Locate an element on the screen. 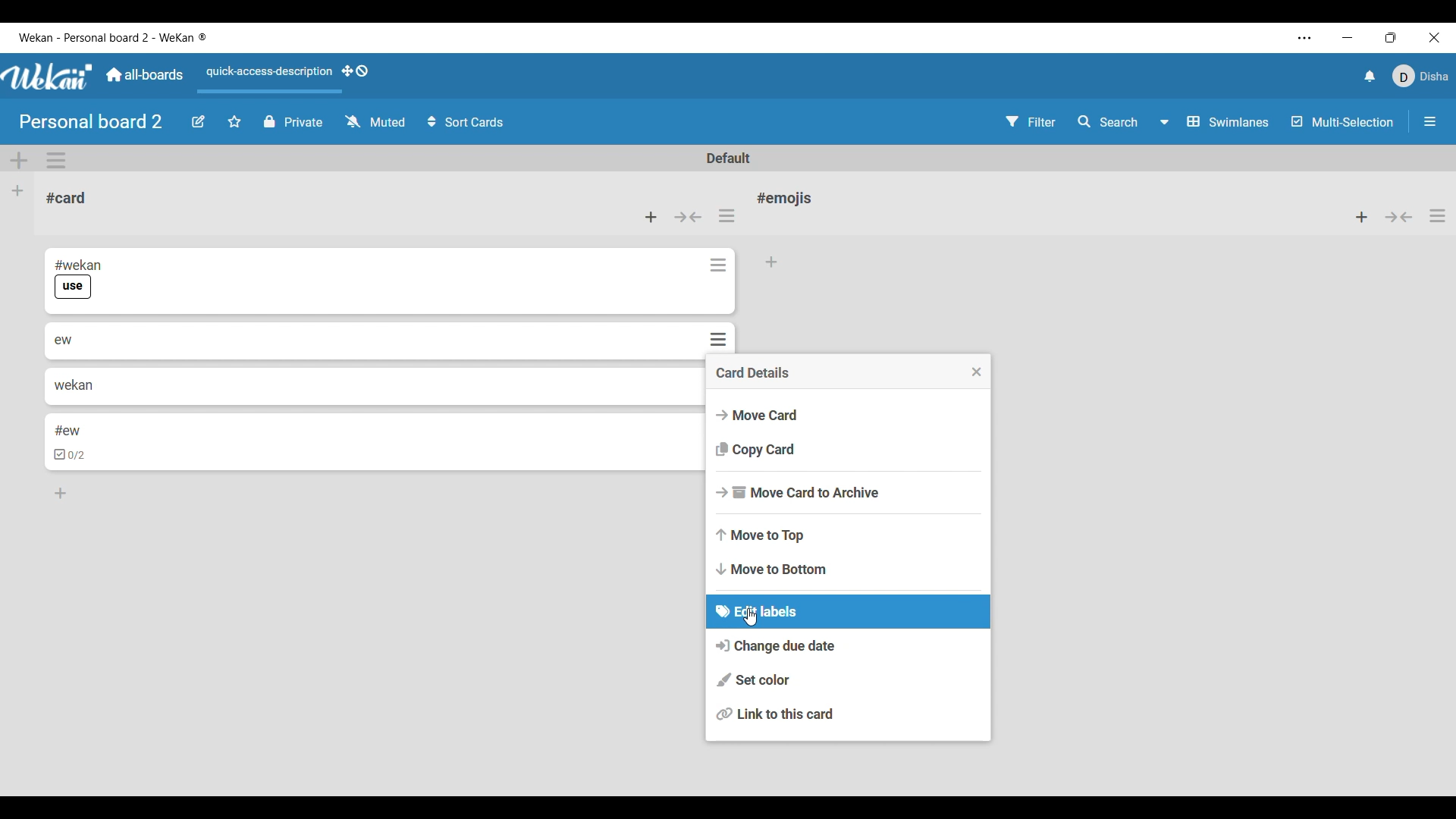 The image size is (1456, 819). Copy card is located at coordinates (850, 450).